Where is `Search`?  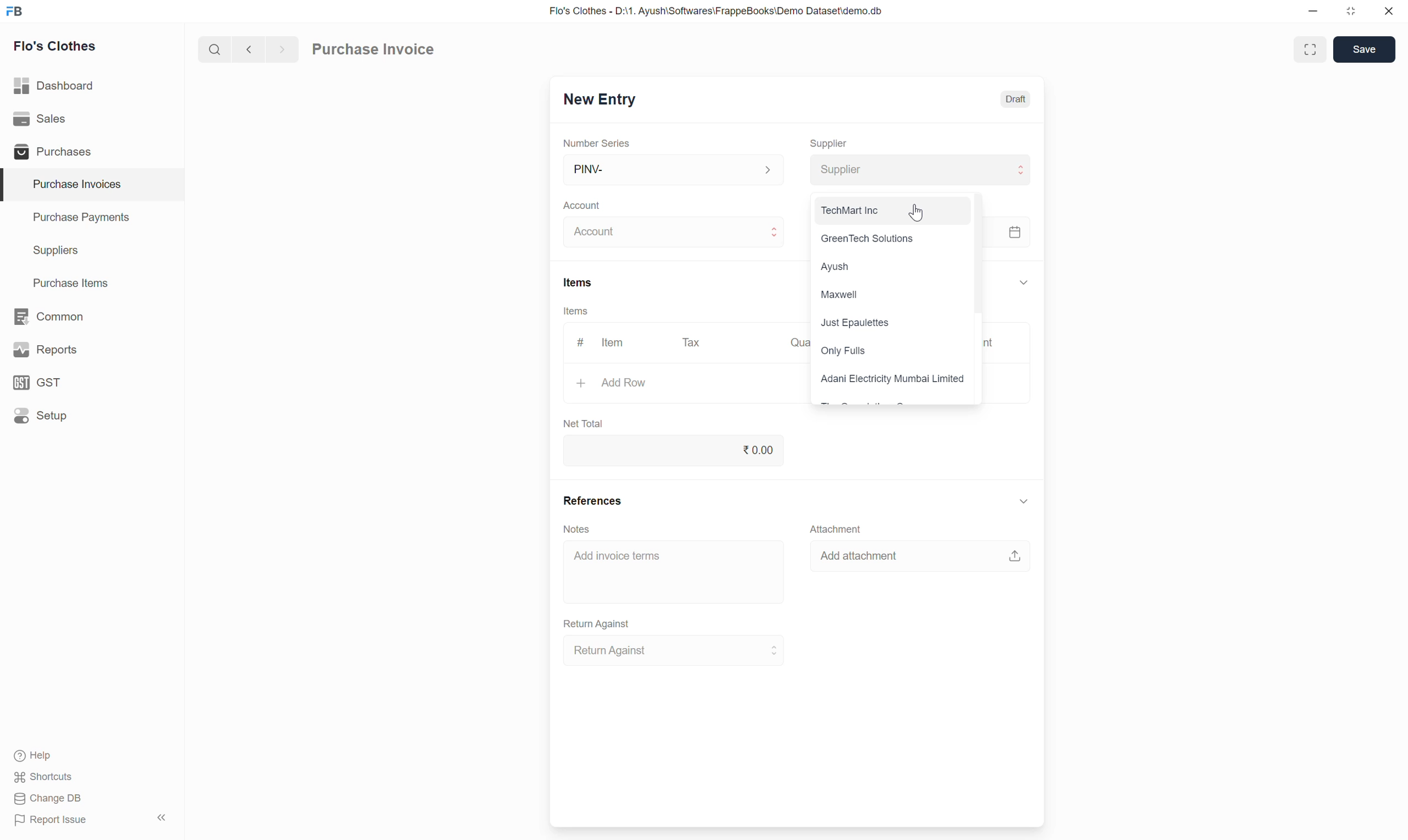
Search is located at coordinates (215, 49).